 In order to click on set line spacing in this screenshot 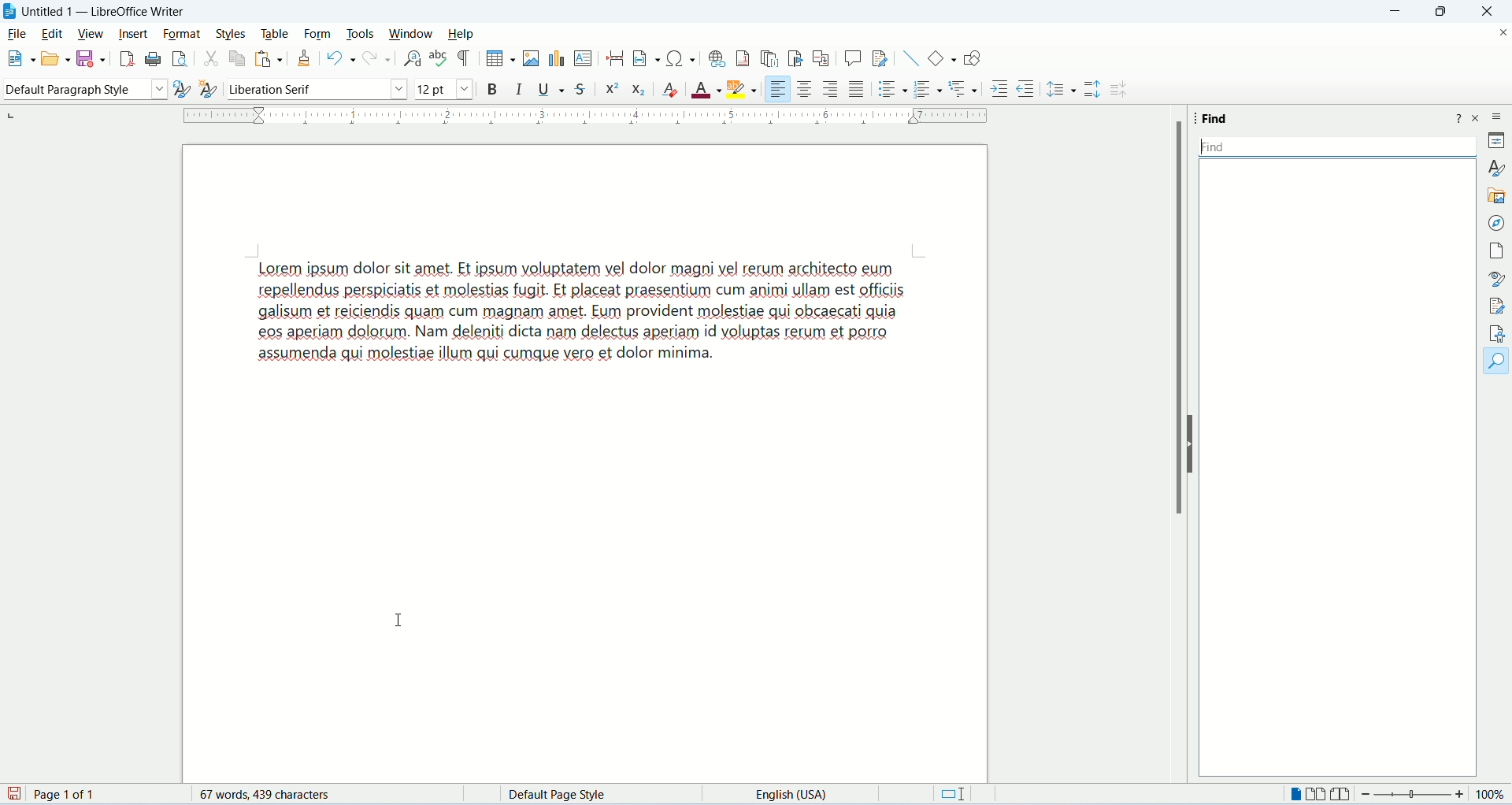, I will do `click(1062, 88)`.